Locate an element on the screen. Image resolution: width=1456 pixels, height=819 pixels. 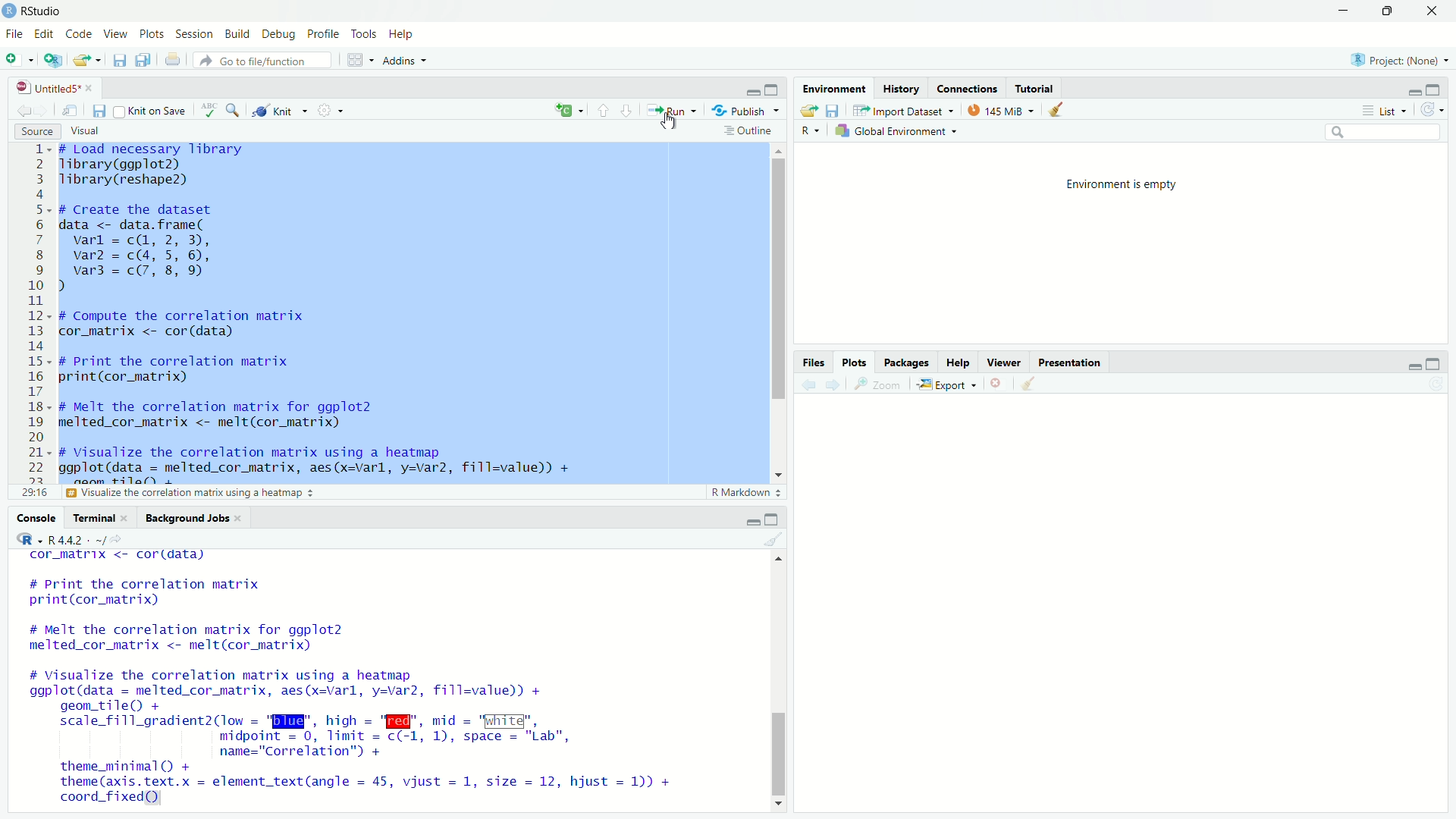
knit is located at coordinates (275, 111).